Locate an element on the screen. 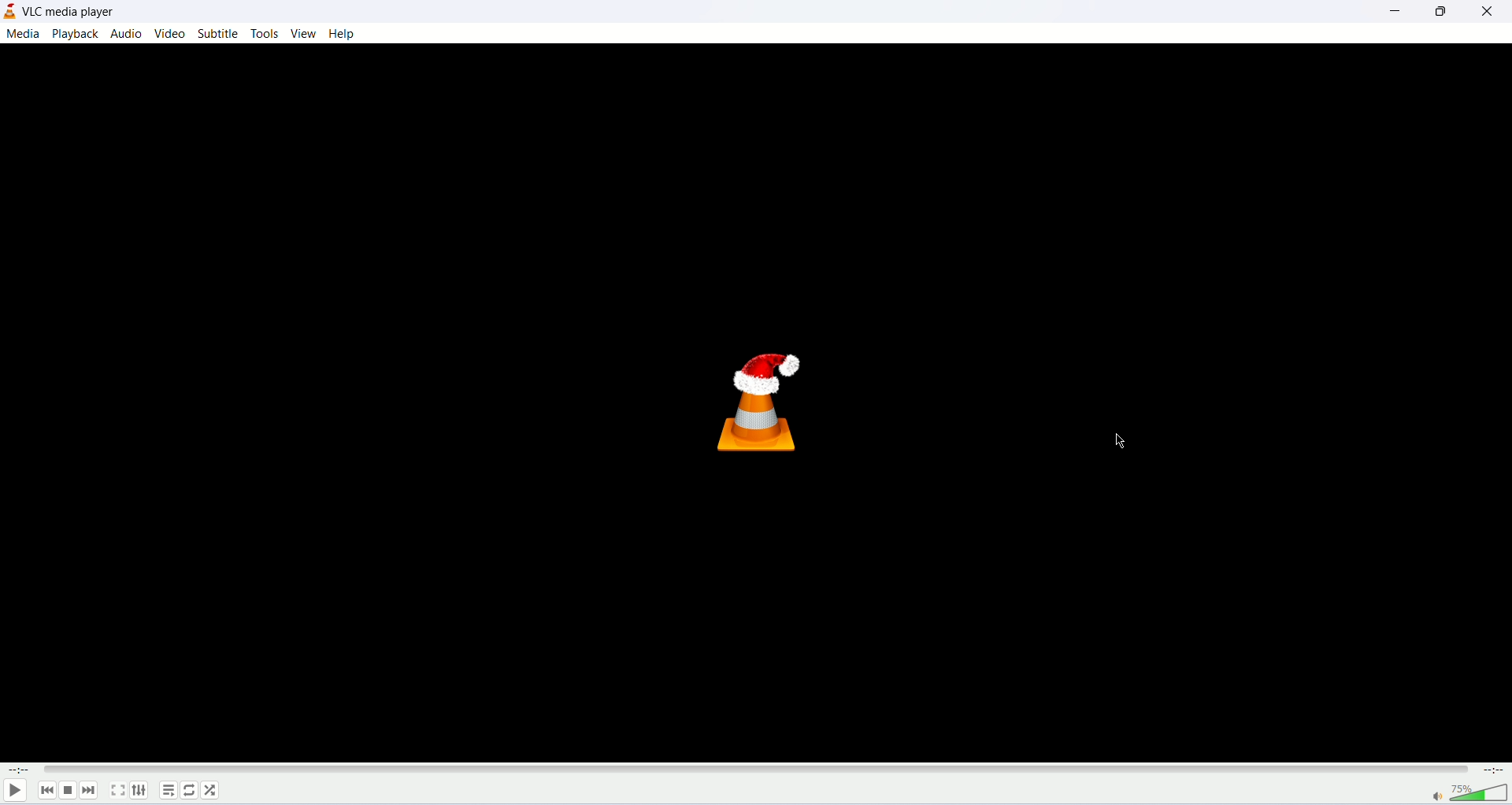  fullscreen is located at coordinates (117, 790).